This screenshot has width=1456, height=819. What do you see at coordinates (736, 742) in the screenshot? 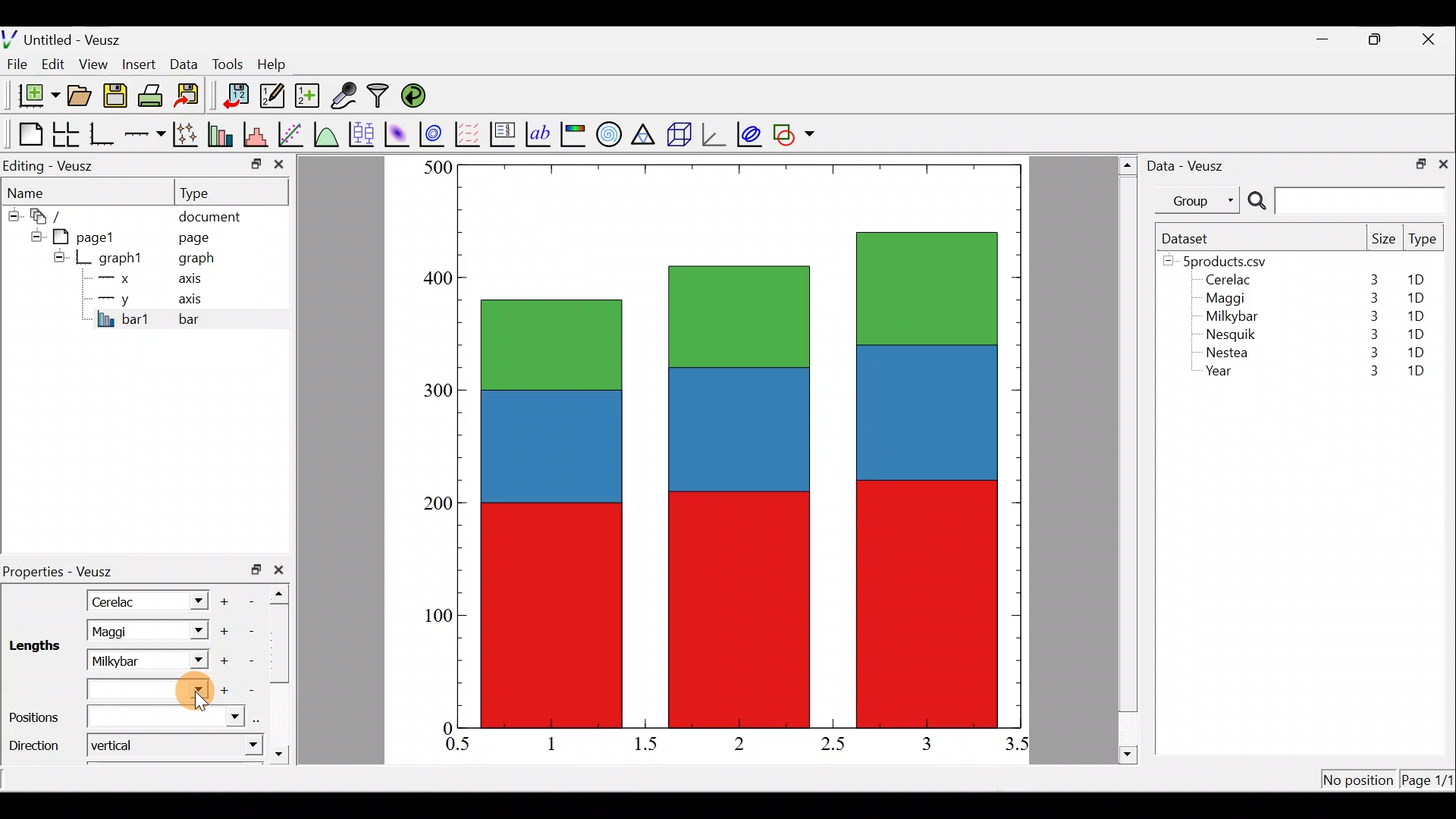
I see `2` at bounding box center [736, 742].